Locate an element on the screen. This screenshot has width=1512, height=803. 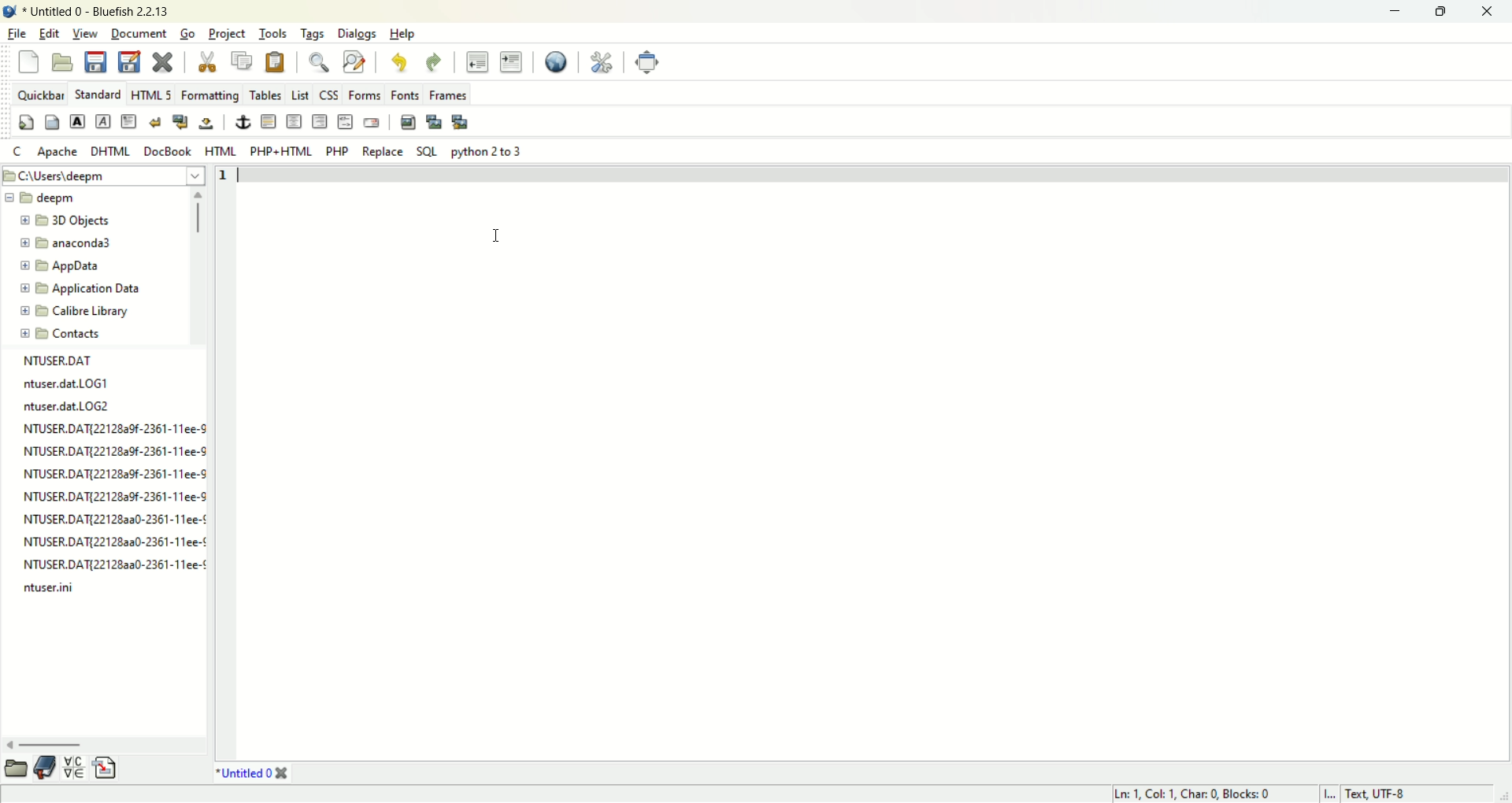
close is located at coordinates (161, 62).